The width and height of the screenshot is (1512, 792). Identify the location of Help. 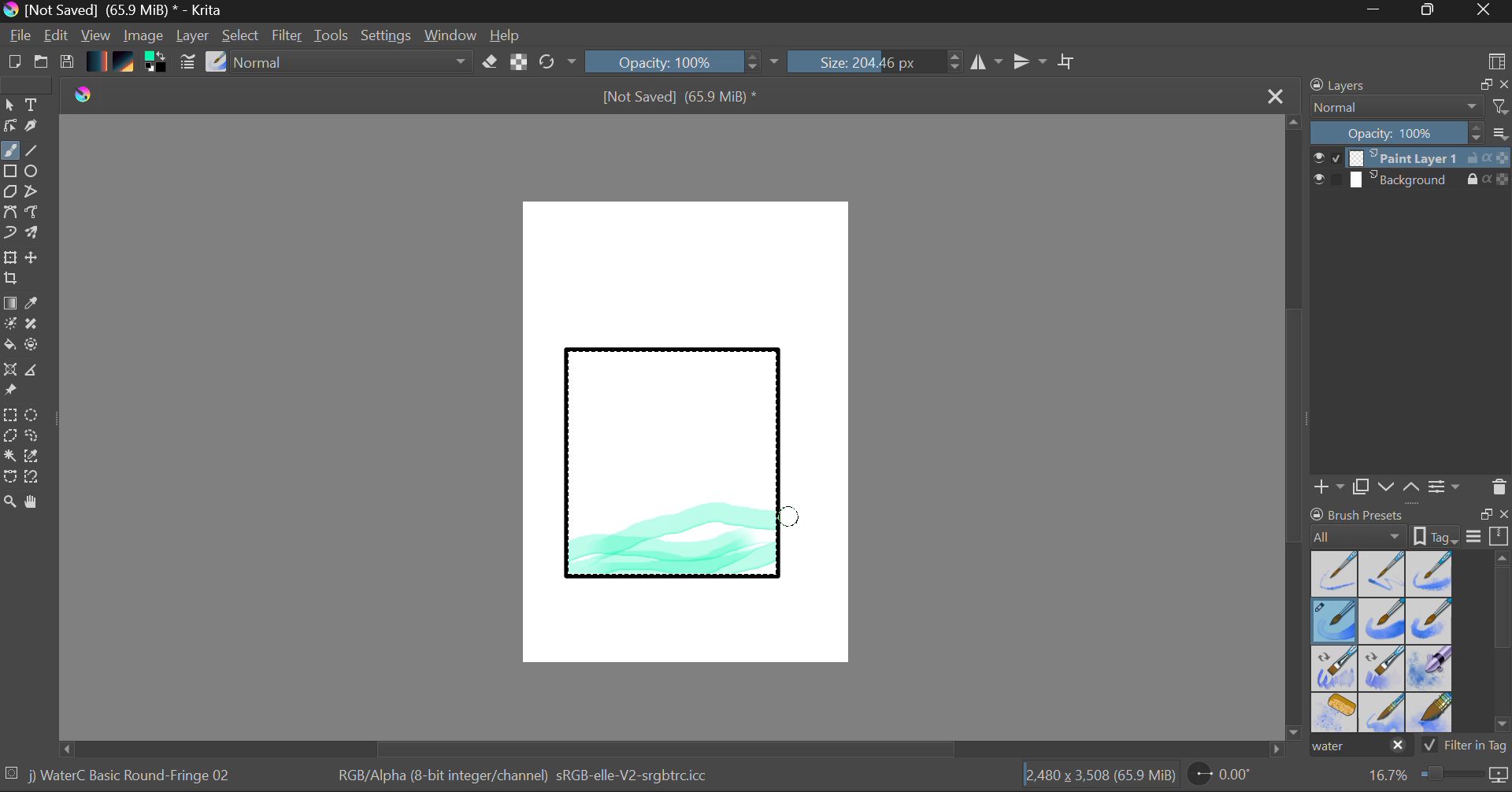
(506, 35).